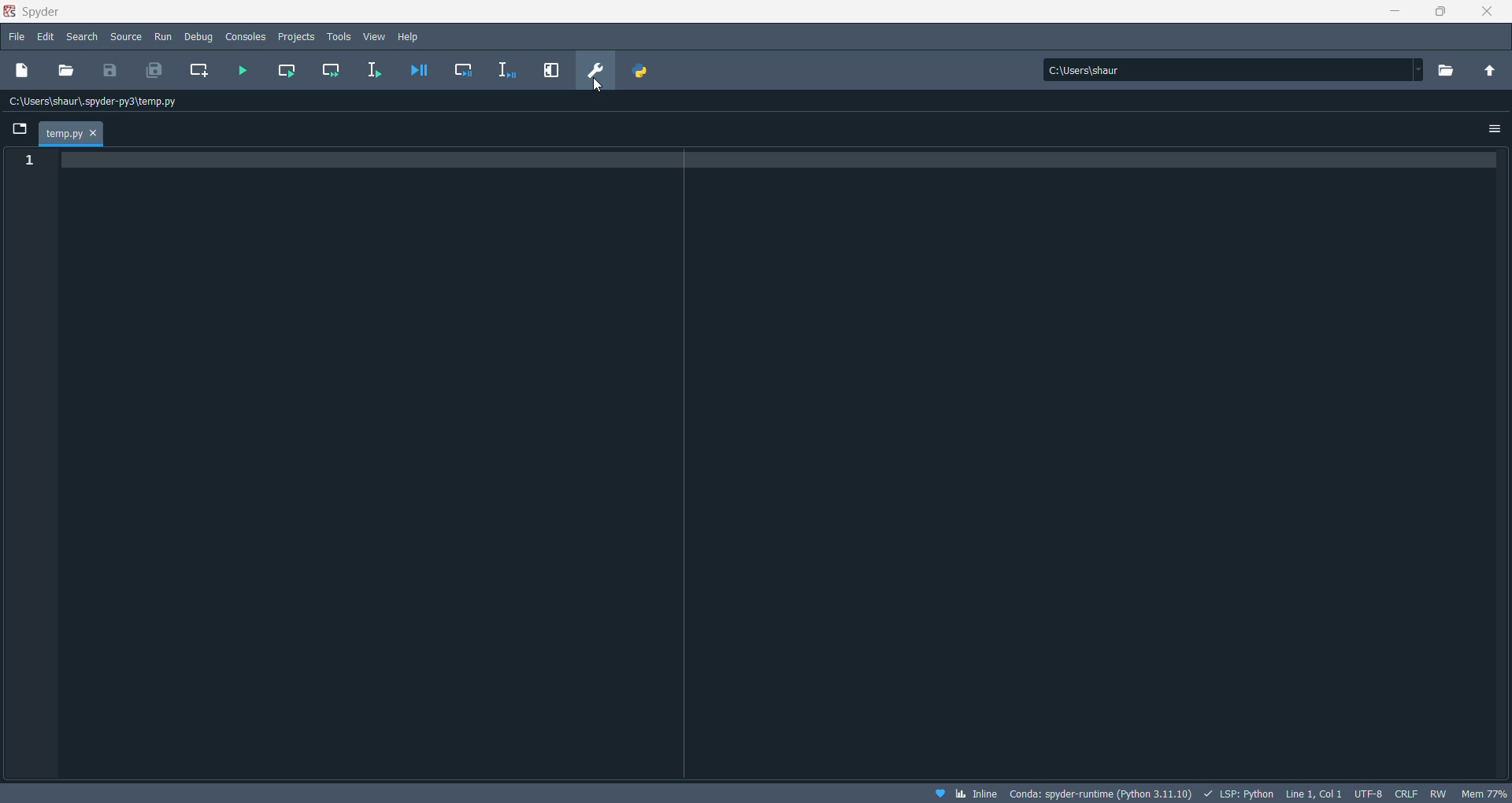  What do you see at coordinates (1494, 130) in the screenshot?
I see `options` at bounding box center [1494, 130].